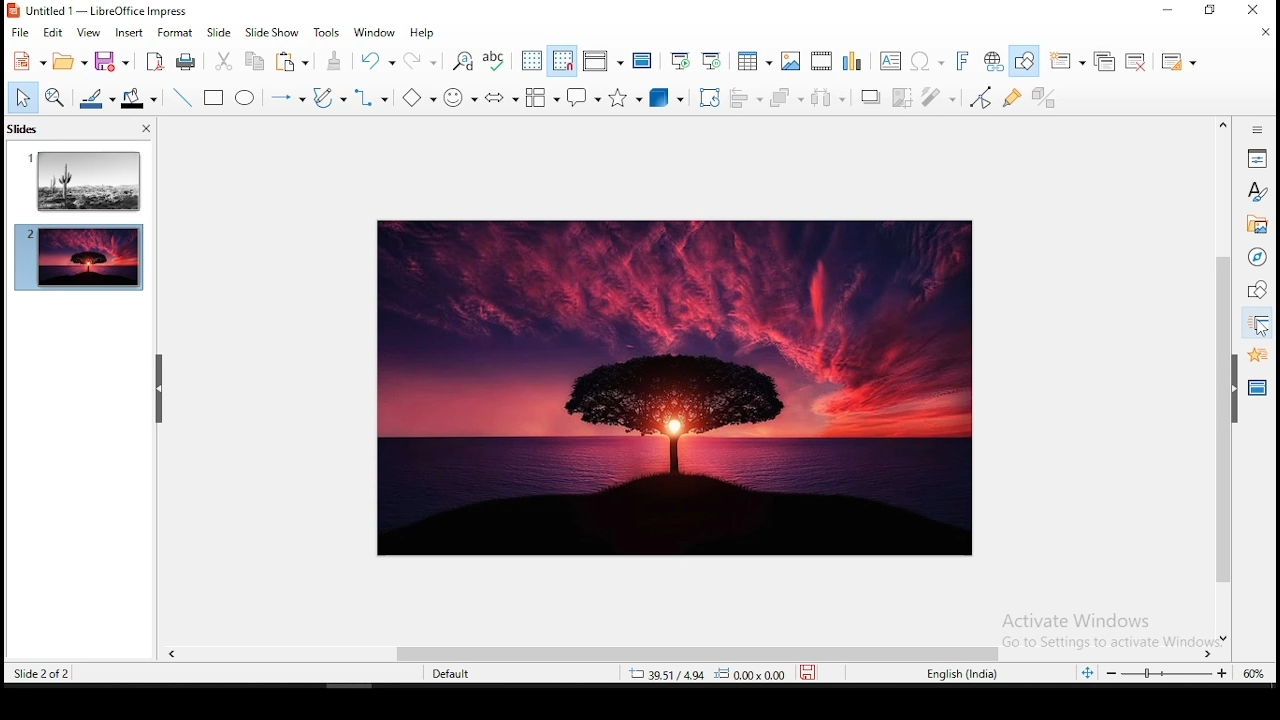 The width and height of the screenshot is (1280, 720). I want to click on show gluepoint functions, so click(1011, 96).